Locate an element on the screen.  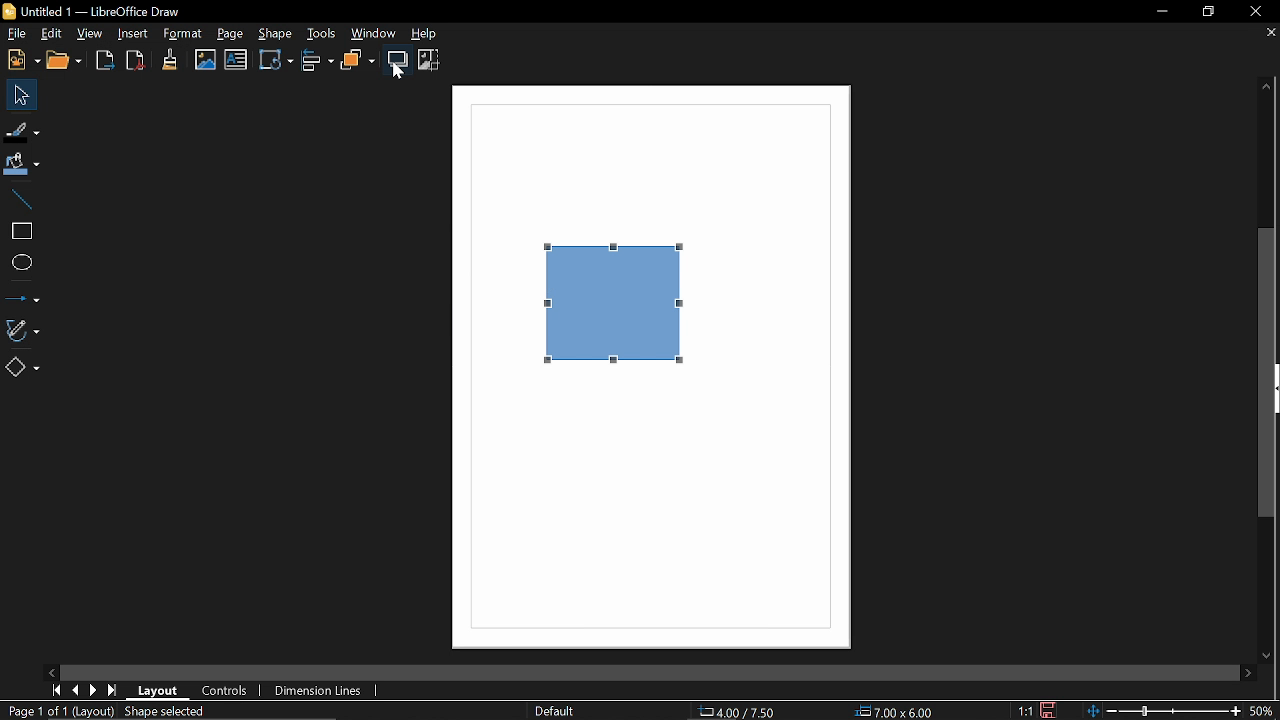
Current zoom is located at coordinates (1265, 711).